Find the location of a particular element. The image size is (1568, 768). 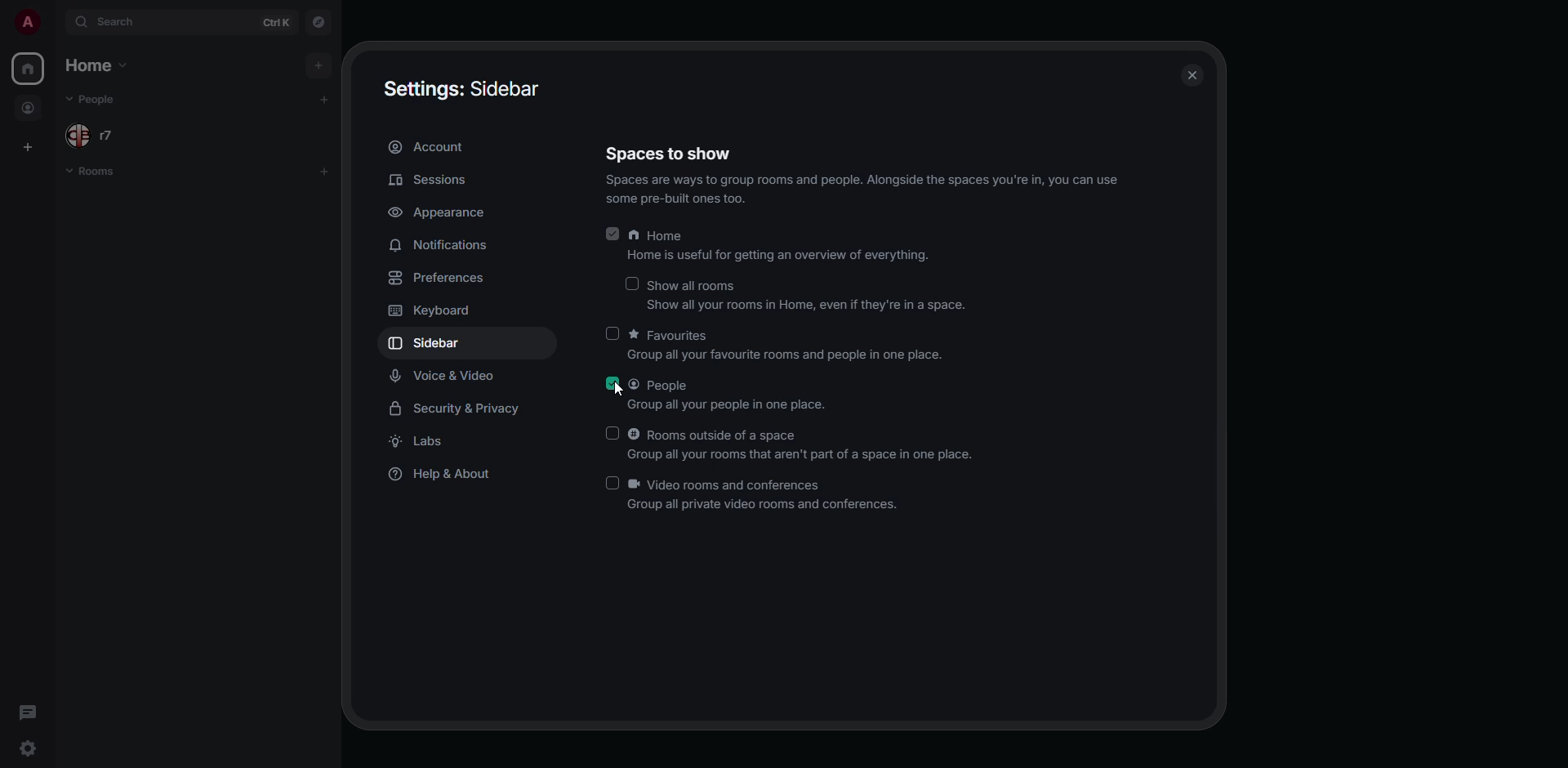

people is located at coordinates (30, 108).